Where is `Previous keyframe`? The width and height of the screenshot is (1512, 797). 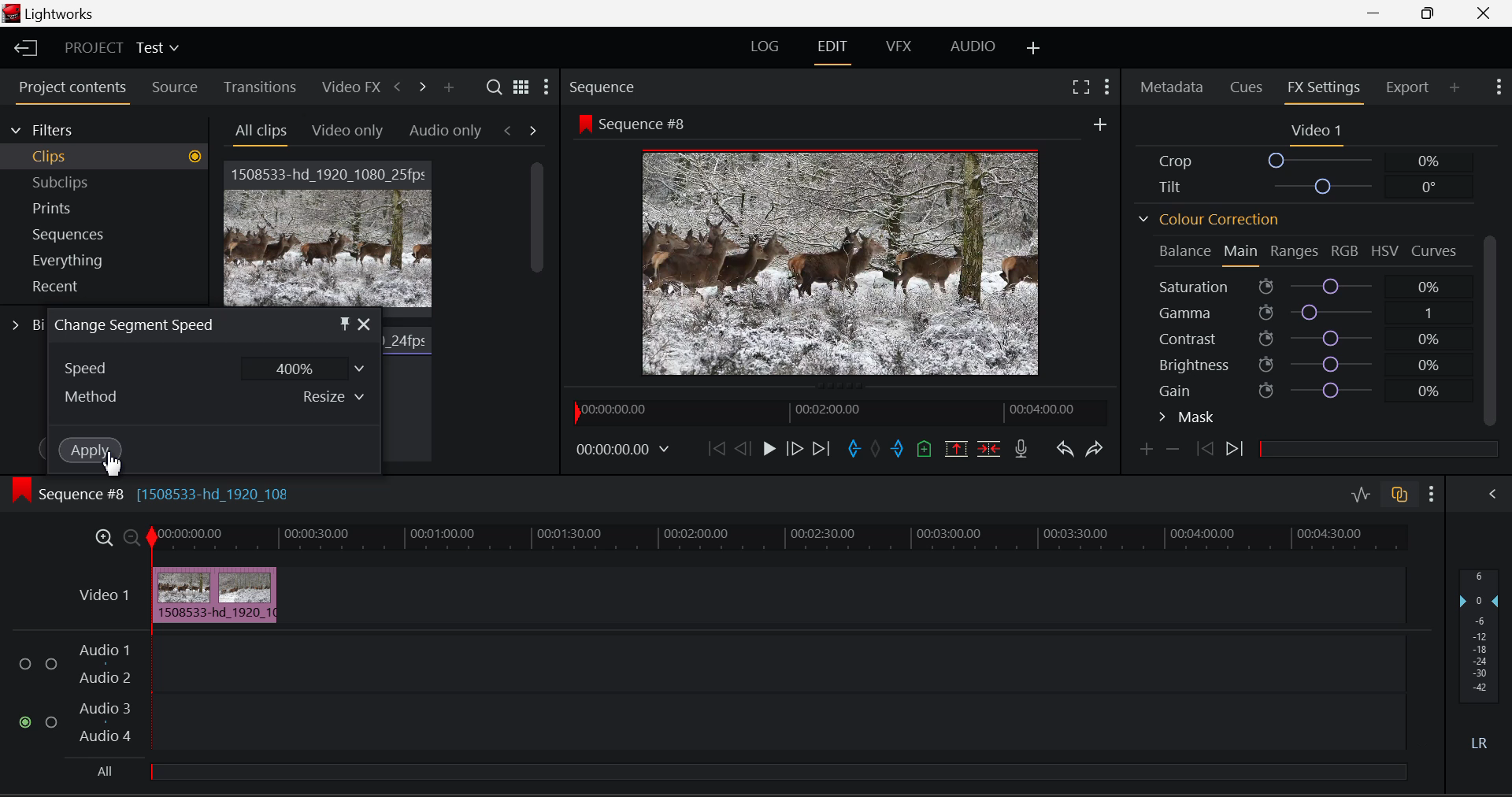 Previous keyframe is located at coordinates (1202, 450).